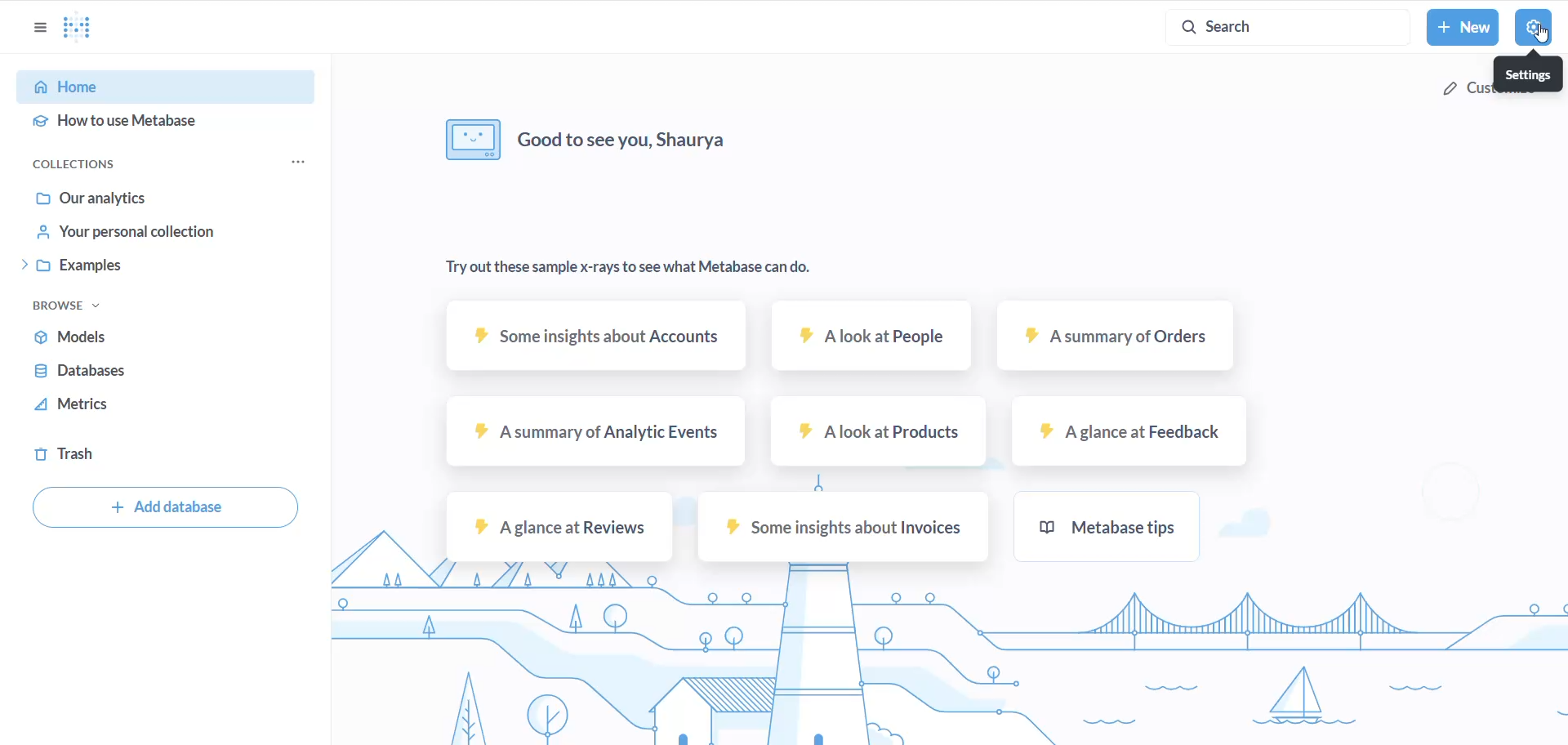 Image resolution: width=1568 pixels, height=745 pixels. I want to click on settings, so click(1535, 27).